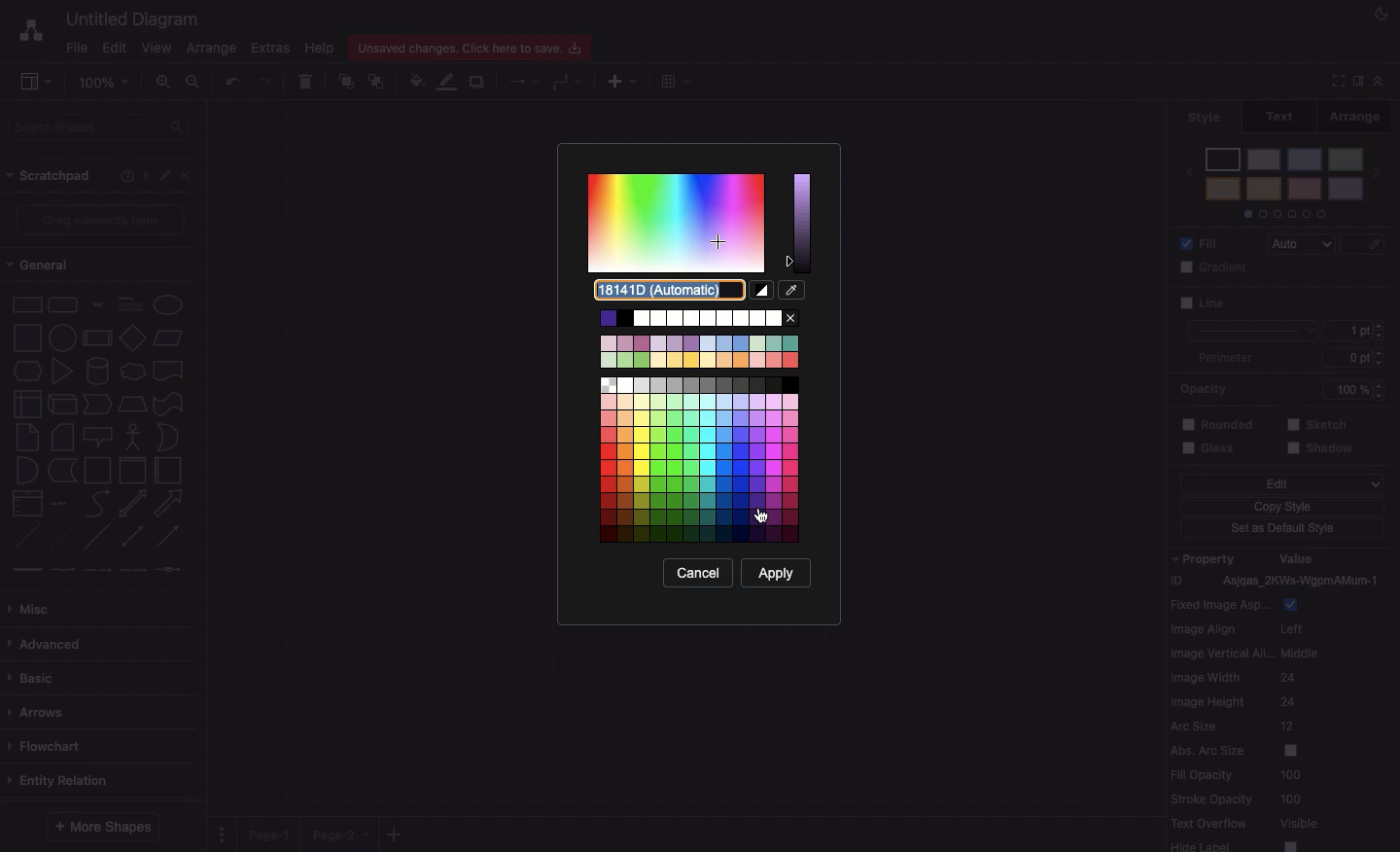 The image size is (1400, 852). Describe the element at coordinates (96, 469) in the screenshot. I see `container` at that location.